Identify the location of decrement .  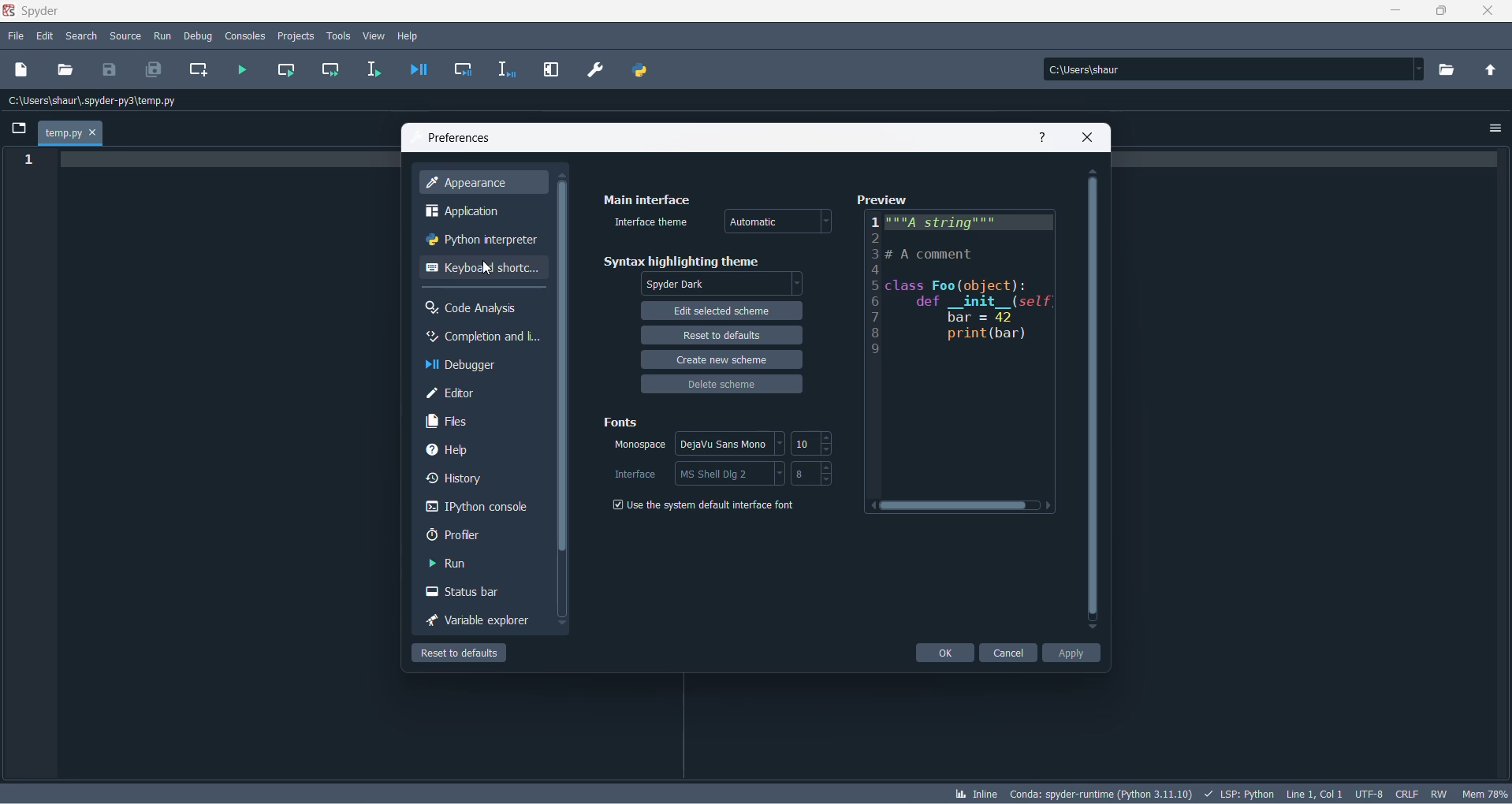
(825, 452).